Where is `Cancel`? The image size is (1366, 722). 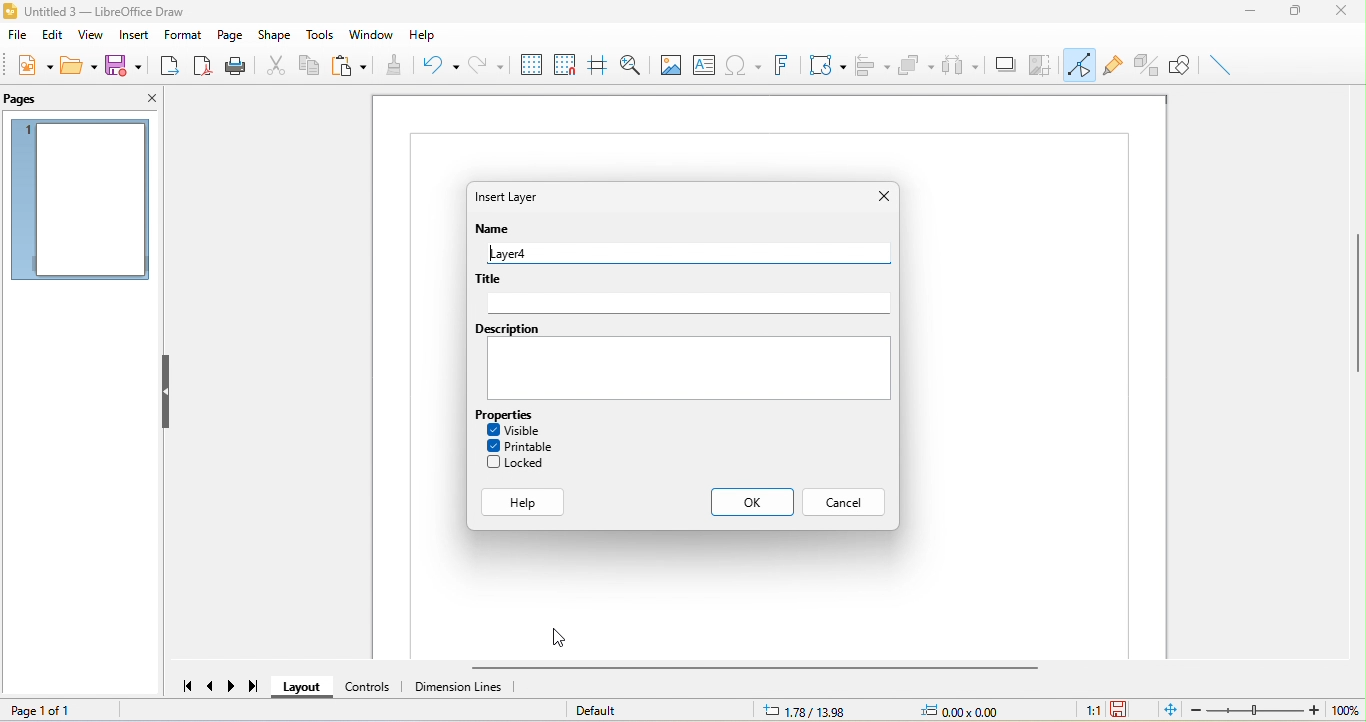 Cancel is located at coordinates (843, 501).